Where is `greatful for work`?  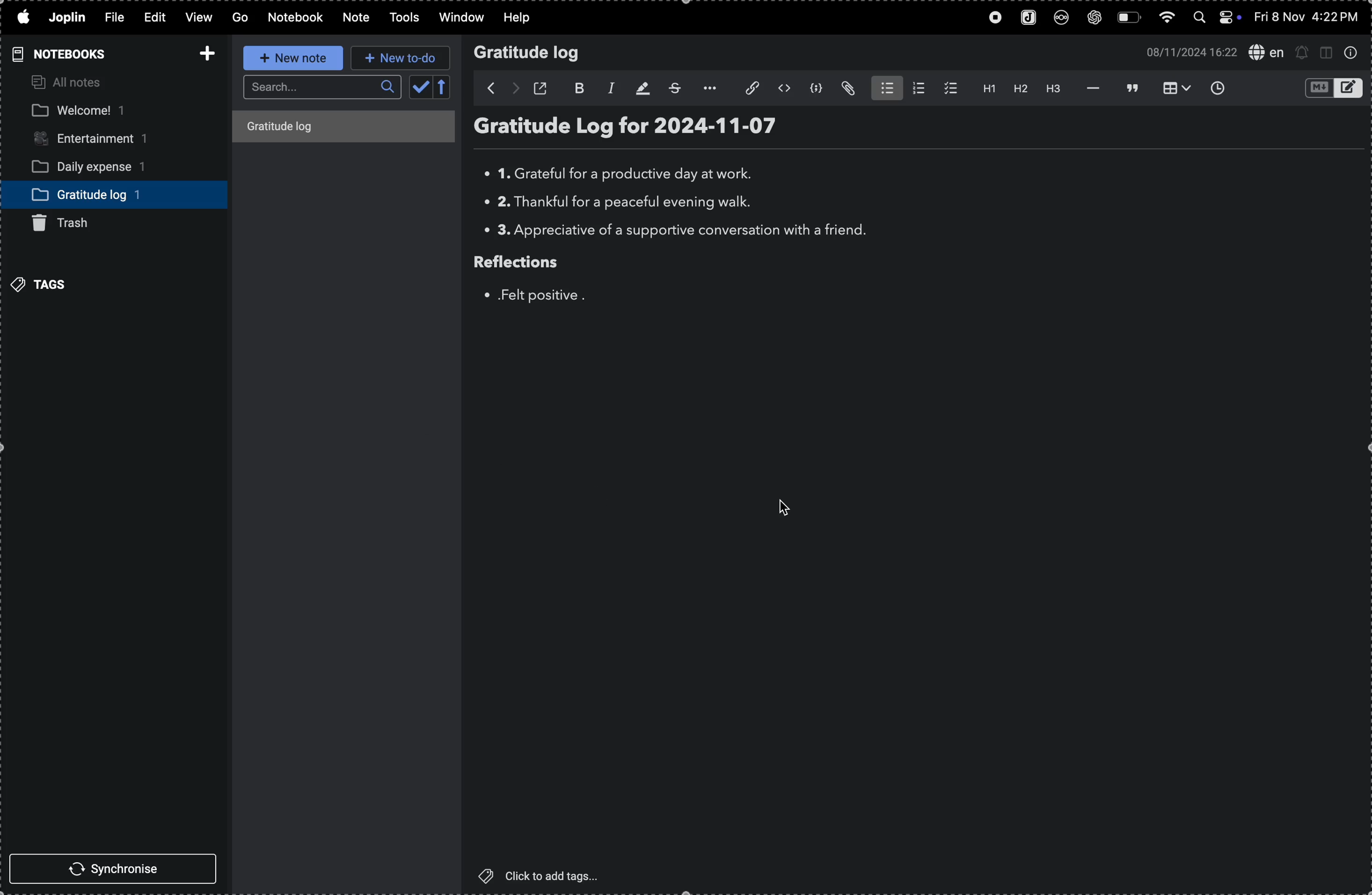 greatful for work is located at coordinates (627, 175).